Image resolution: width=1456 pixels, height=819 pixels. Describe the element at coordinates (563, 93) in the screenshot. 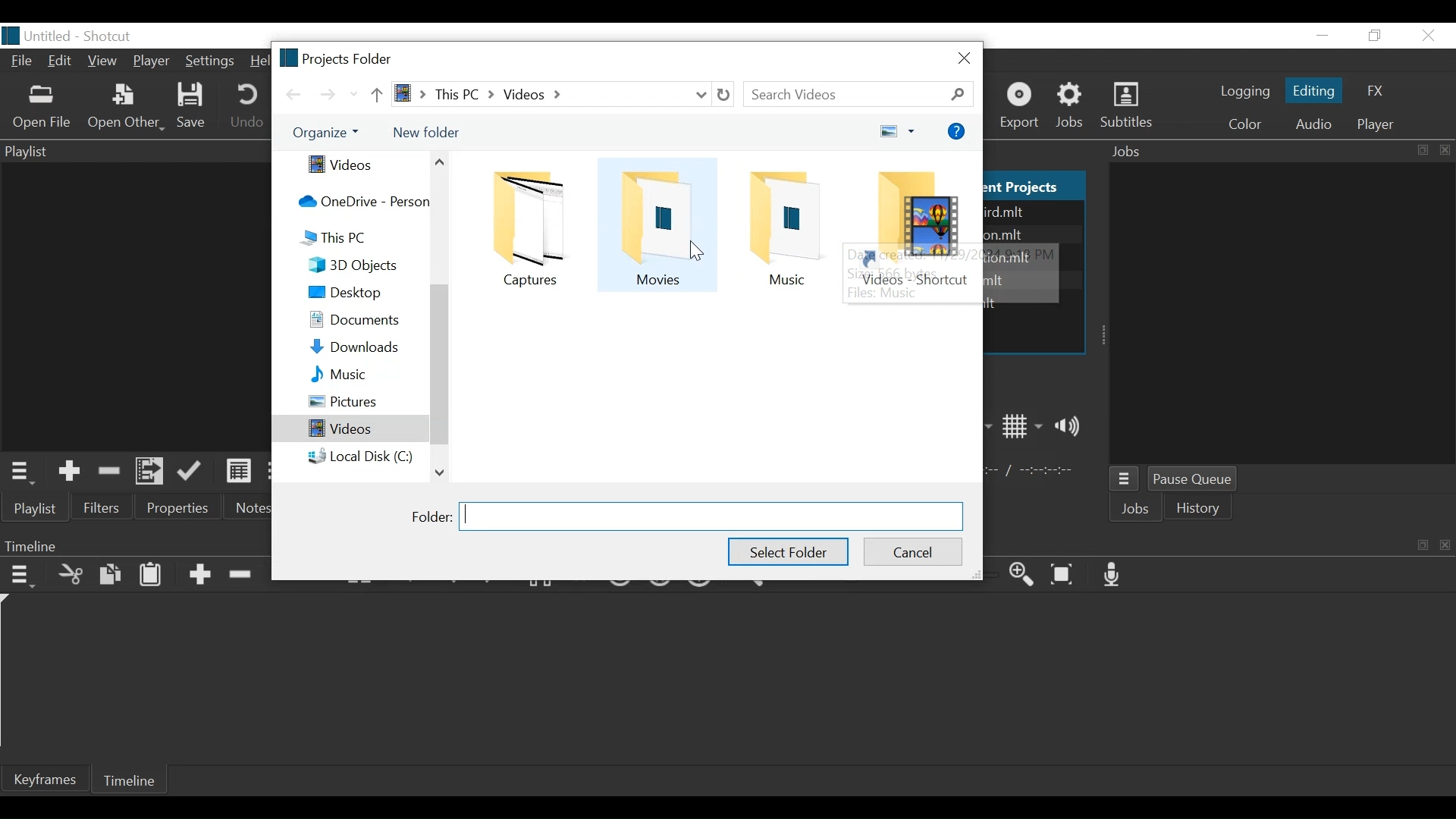

I see `File path` at that location.